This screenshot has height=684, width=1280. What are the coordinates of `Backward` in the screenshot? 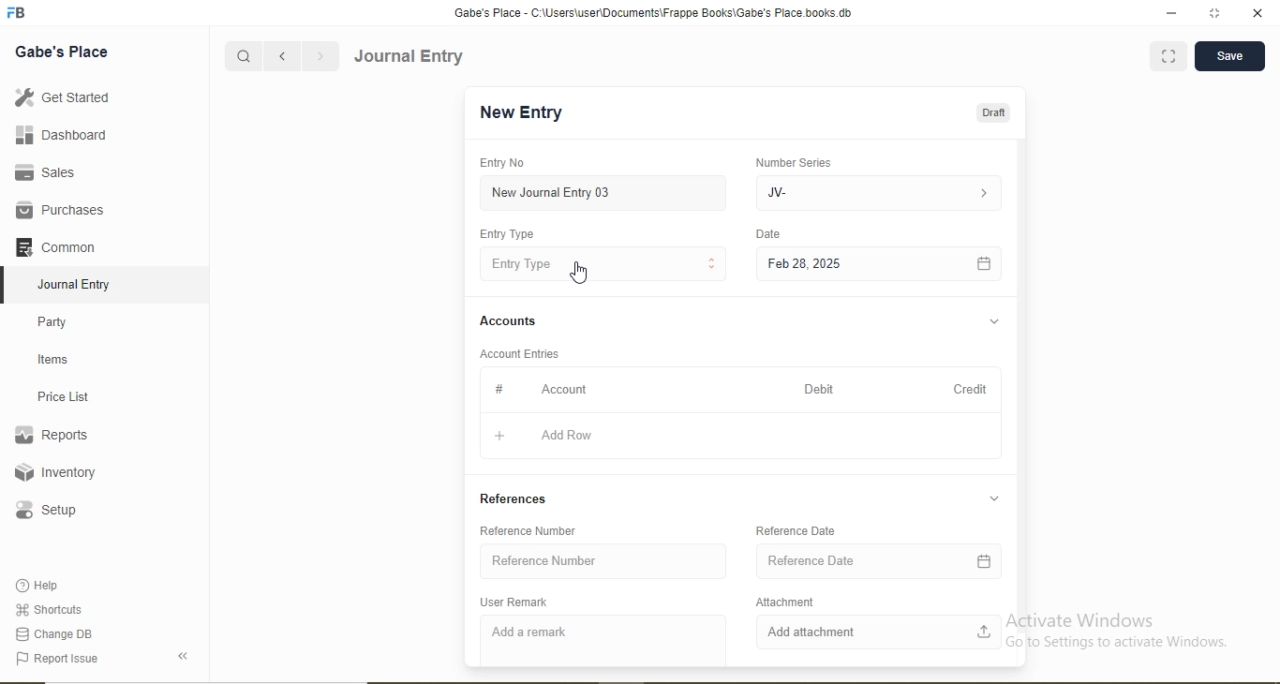 It's located at (282, 57).